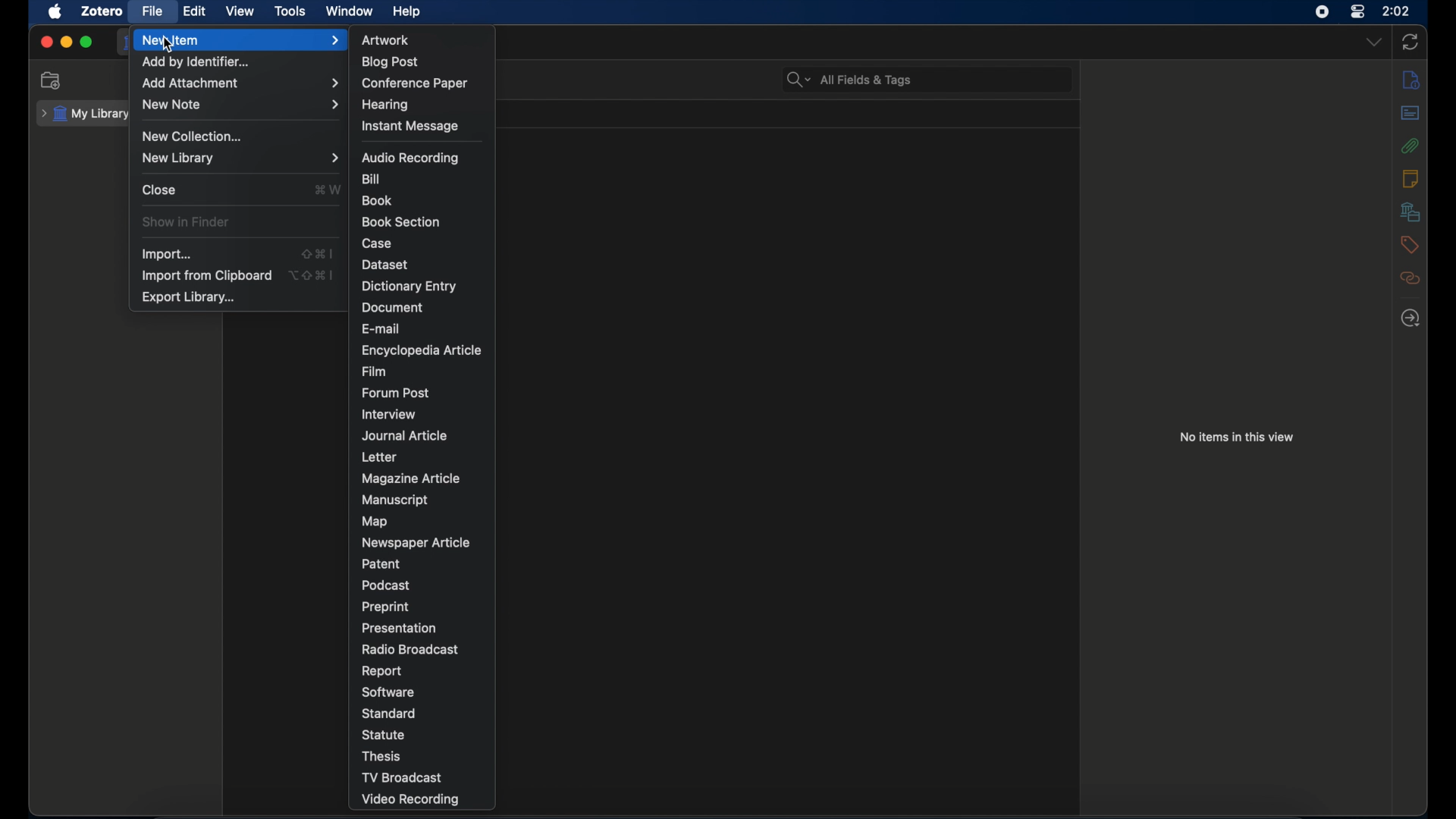  Describe the element at coordinates (402, 777) in the screenshot. I see `tv broadcast` at that location.